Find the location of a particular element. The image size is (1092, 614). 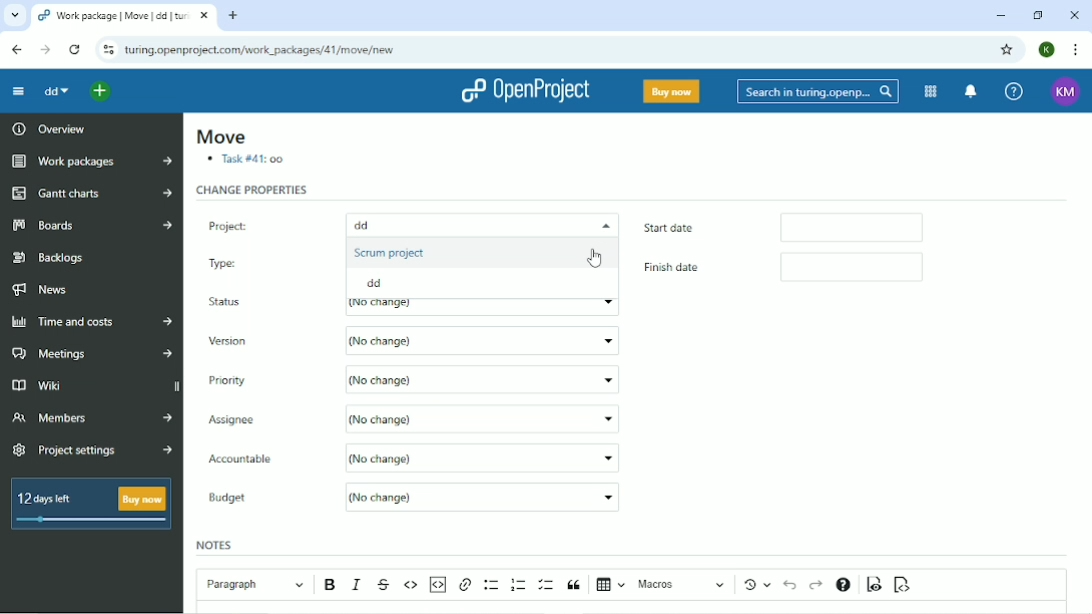

Task is located at coordinates (247, 160).